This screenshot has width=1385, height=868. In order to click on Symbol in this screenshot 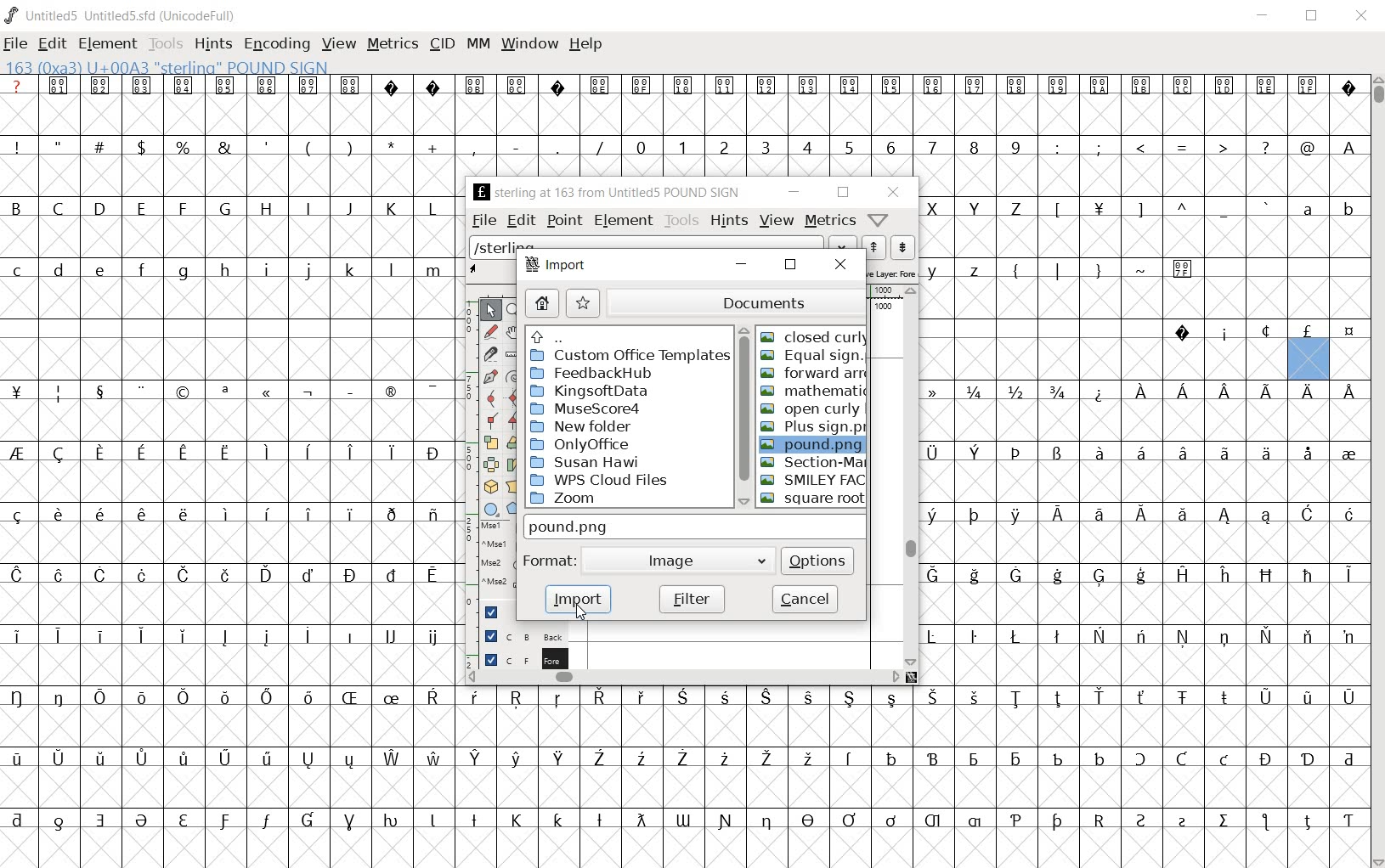, I will do `click(684, 86)`.